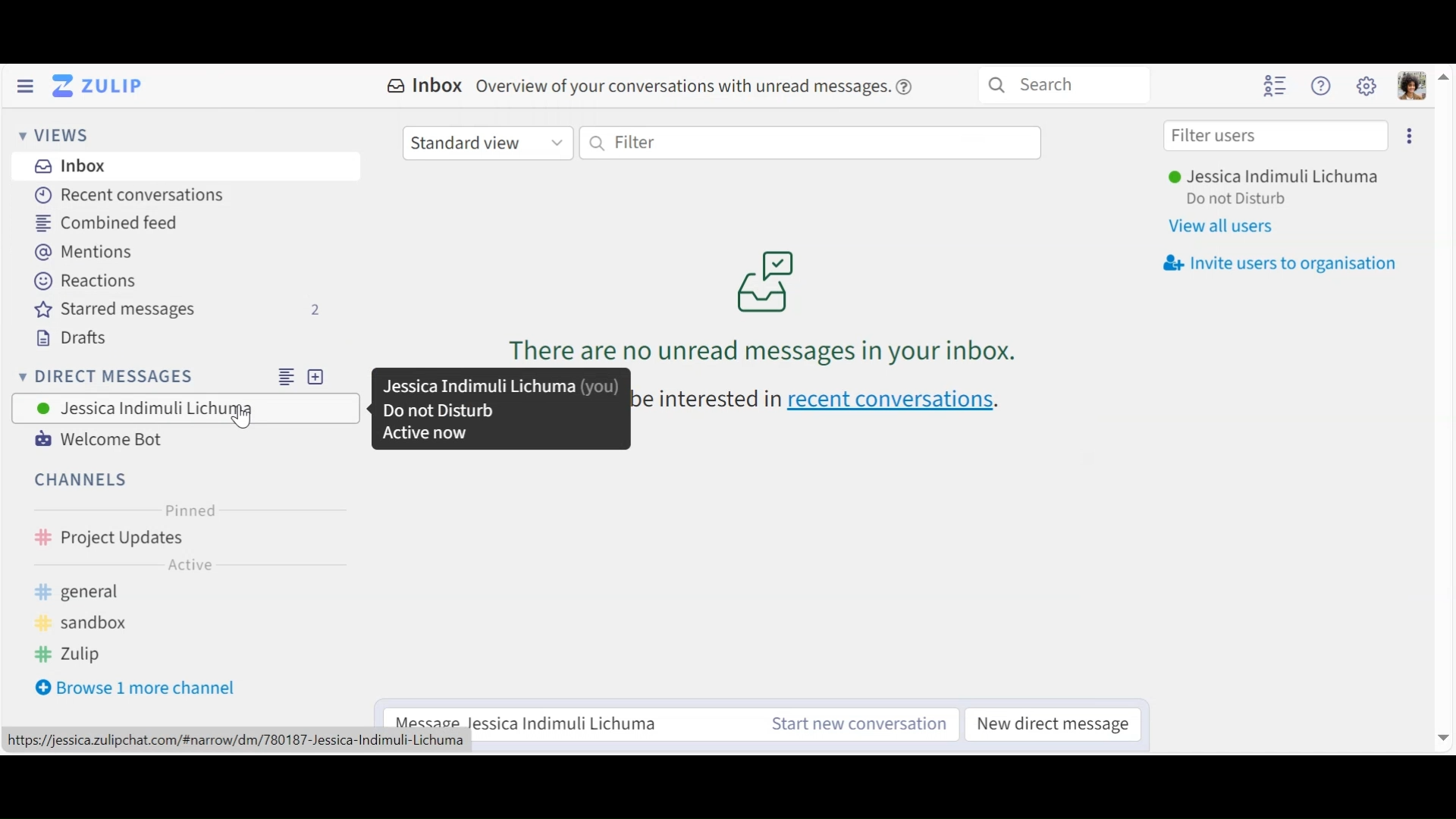 The image size is (1456, 819). What do you see at coordinates (71, 165) in the screenshot?
I see `Inbox` at bounding box center [71, 165].